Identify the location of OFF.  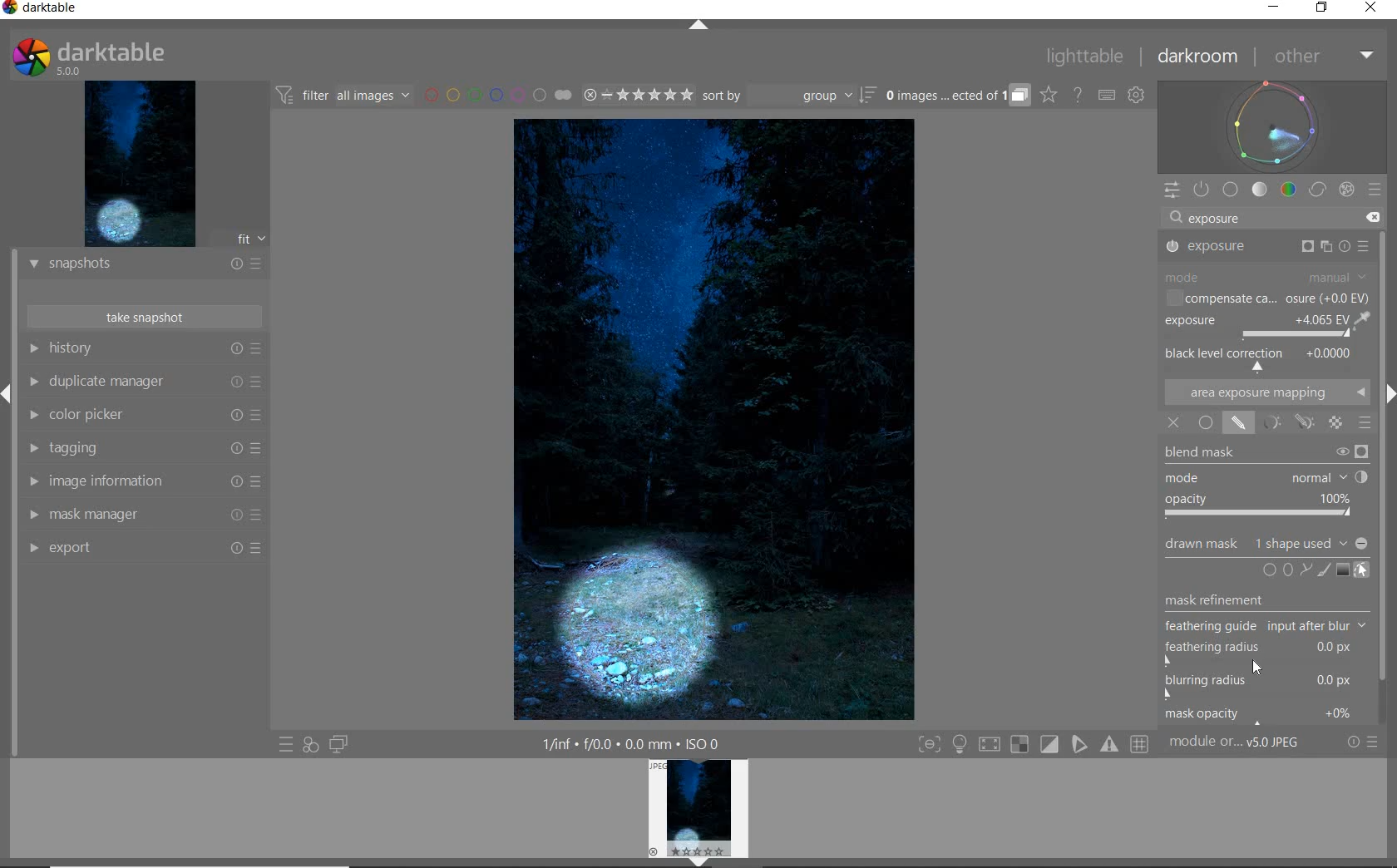
(1173, 423).